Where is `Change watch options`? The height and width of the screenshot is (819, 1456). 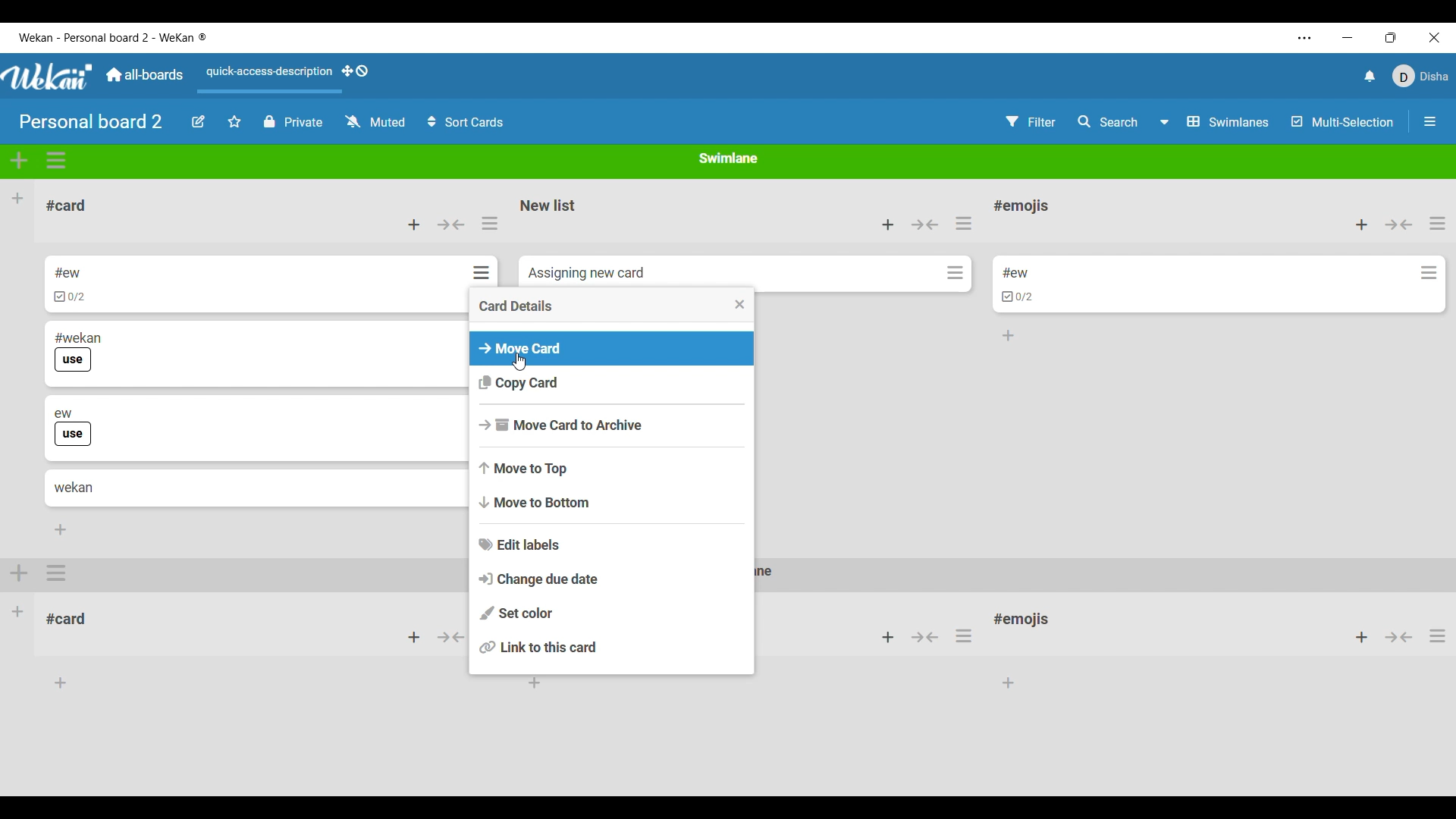
Change watch options is located at coordinates (375, 121).